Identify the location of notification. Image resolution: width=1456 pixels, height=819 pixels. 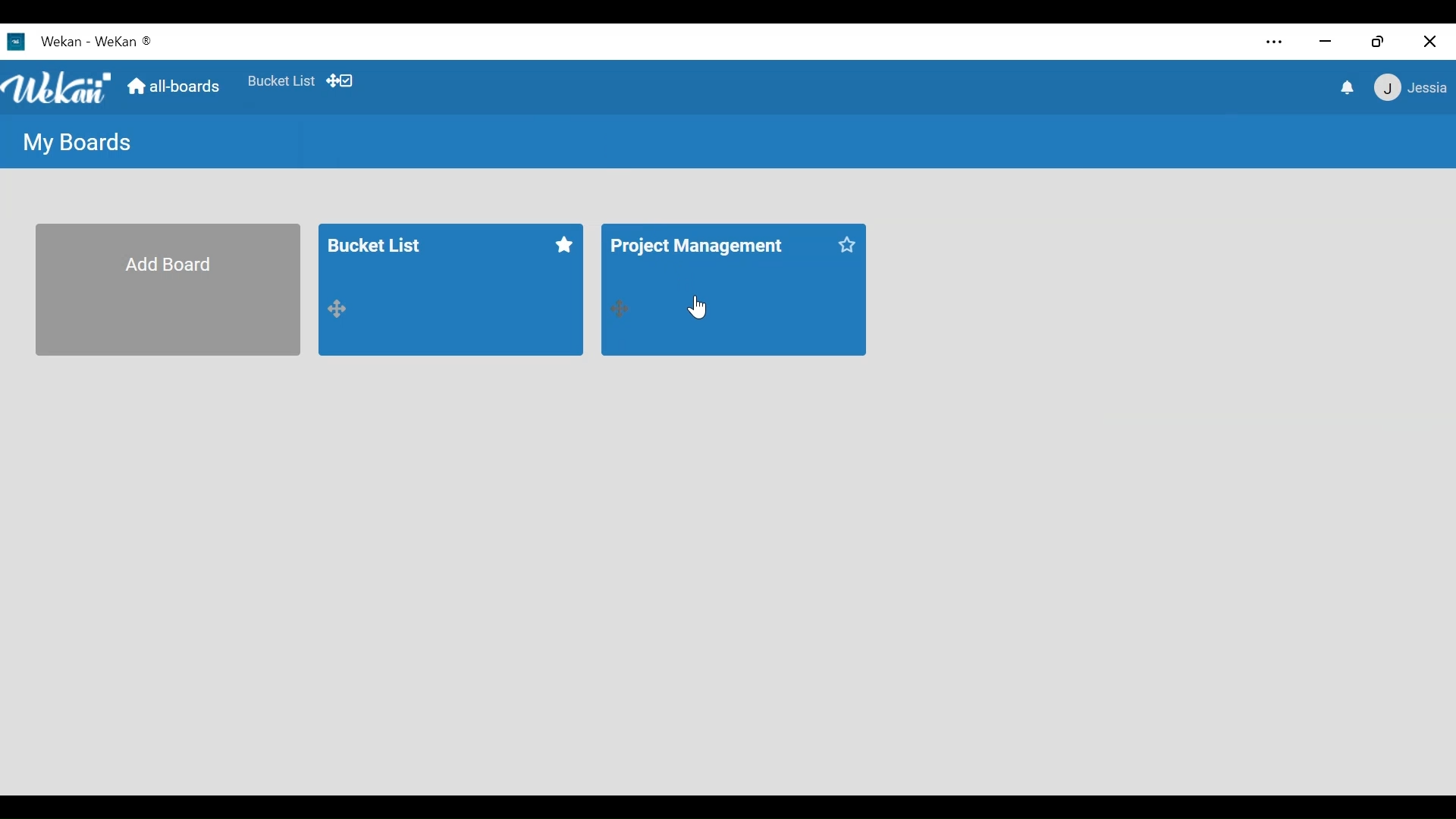
(1345, 89).